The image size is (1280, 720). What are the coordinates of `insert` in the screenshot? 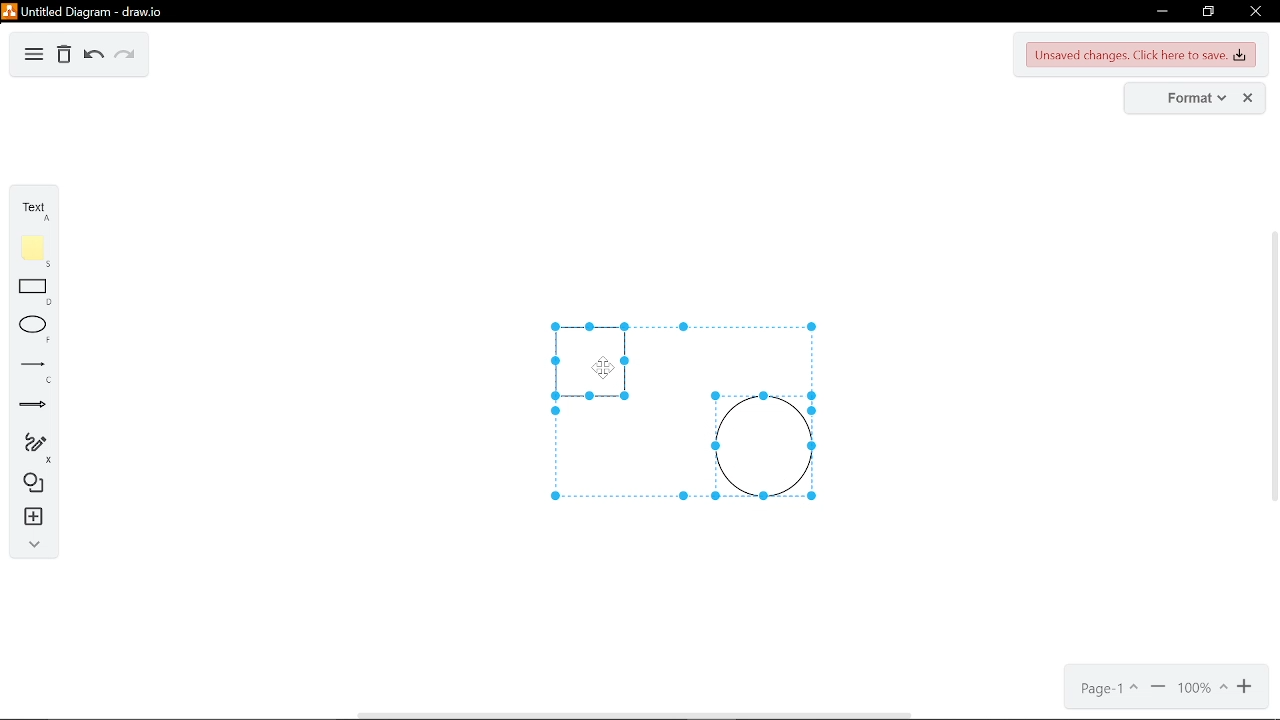 It's located at (30, 519).